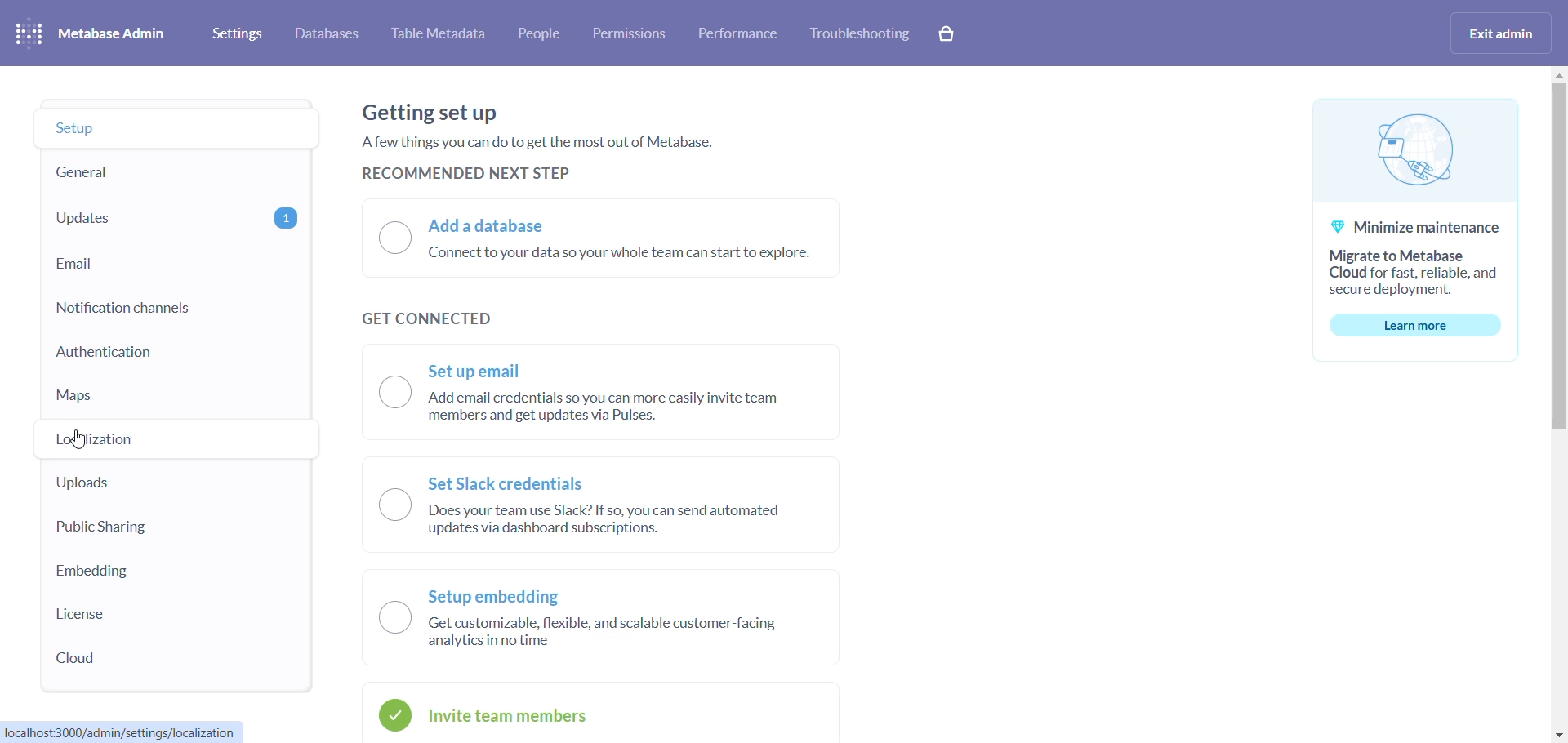 The width and height of the screenshot is (1568, 743). What do you see at coordinates (542, 145) in the screenshot?
I see `Getting set up
Afew things you can do to get the most out of Metabase.
RECOMMENDED NEXT STEP` at bounding box center [542, 145].